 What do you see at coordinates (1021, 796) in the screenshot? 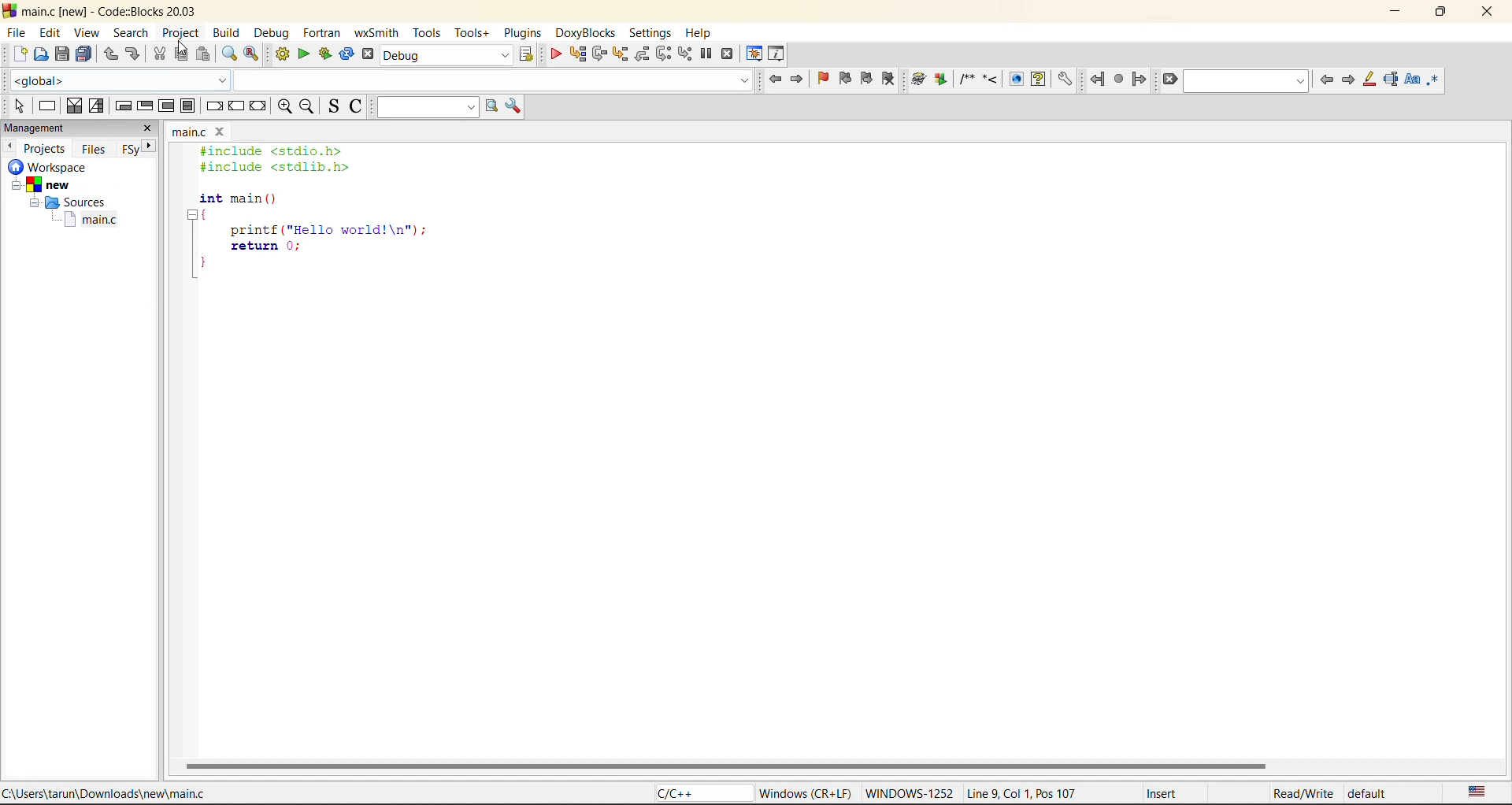
I see `Line 9, Col 1, Pos 107` at bounding box center [1021, 796].